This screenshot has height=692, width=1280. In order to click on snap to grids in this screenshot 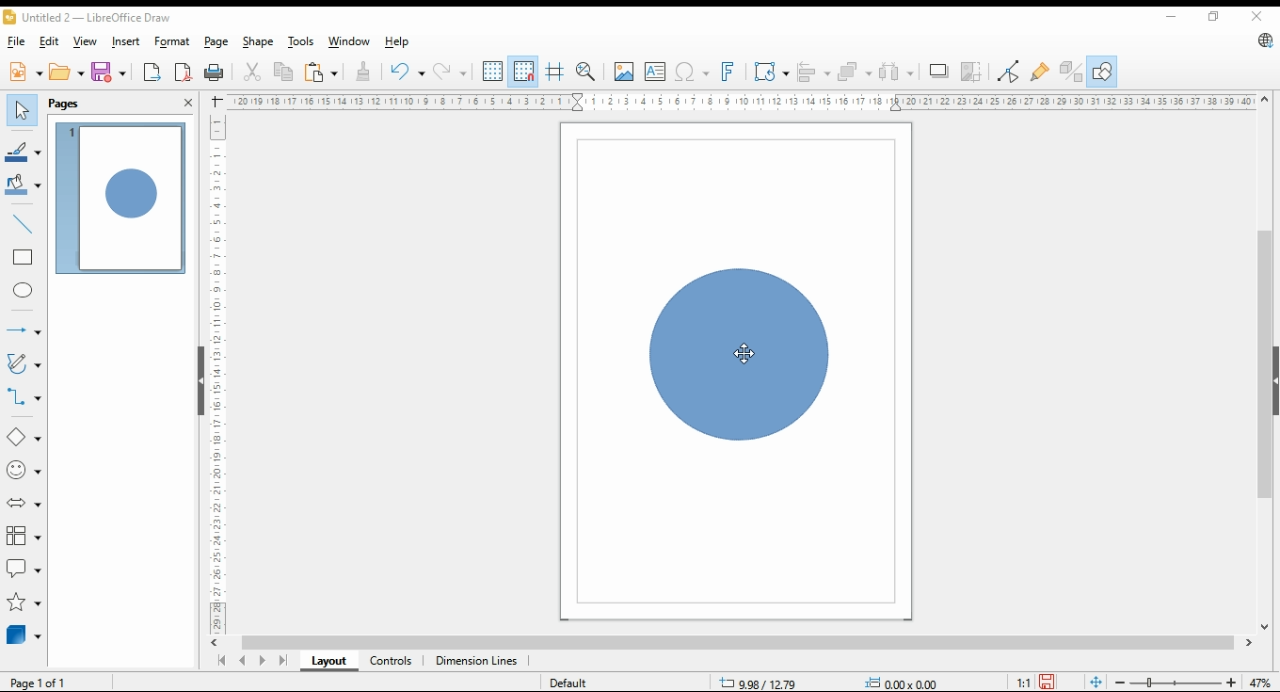, I will do `click(524, 72)`.